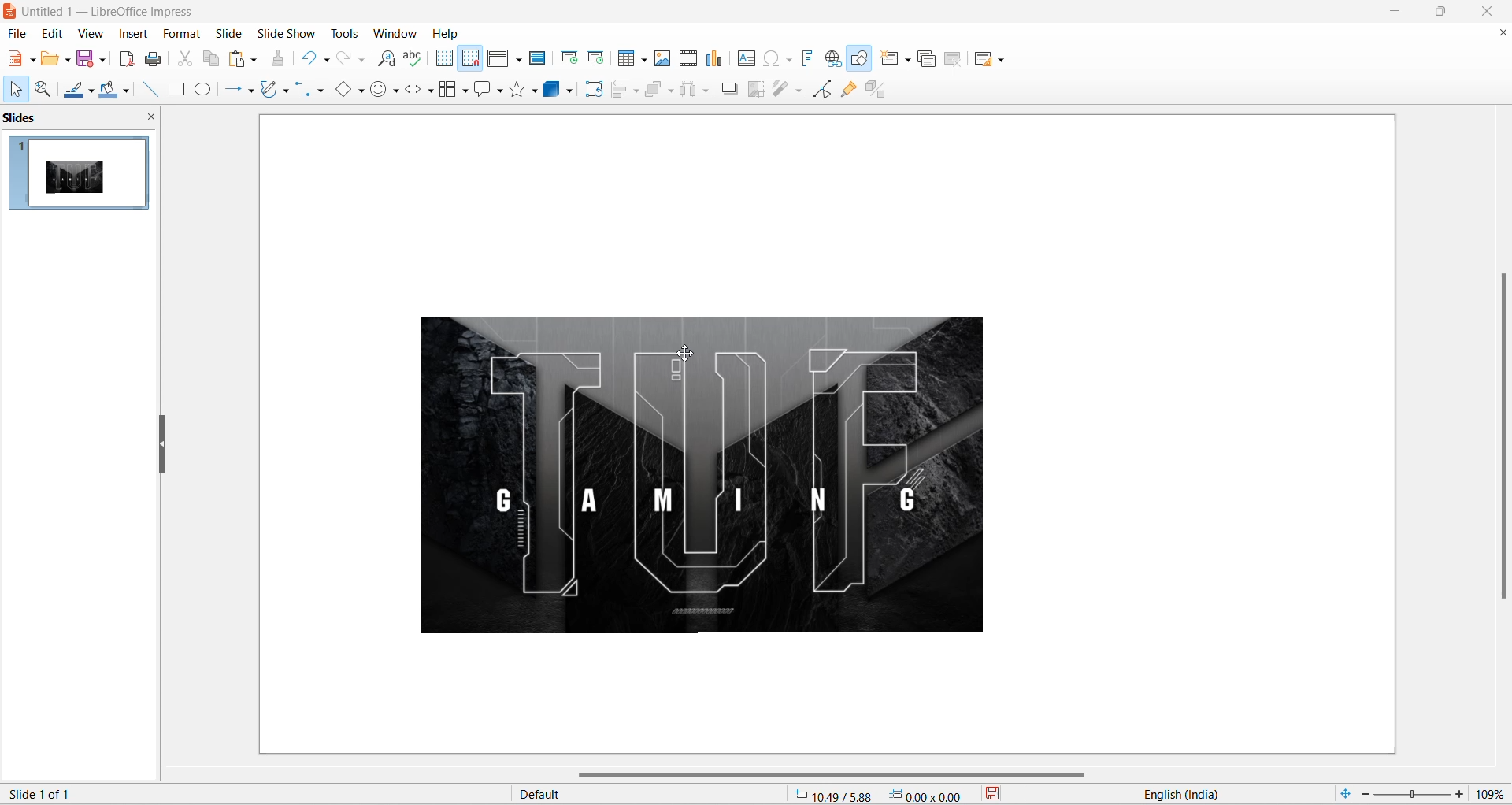  Describe the element at coordinates (126, 57) in the screenshot. I see `export as pdf` at that location.